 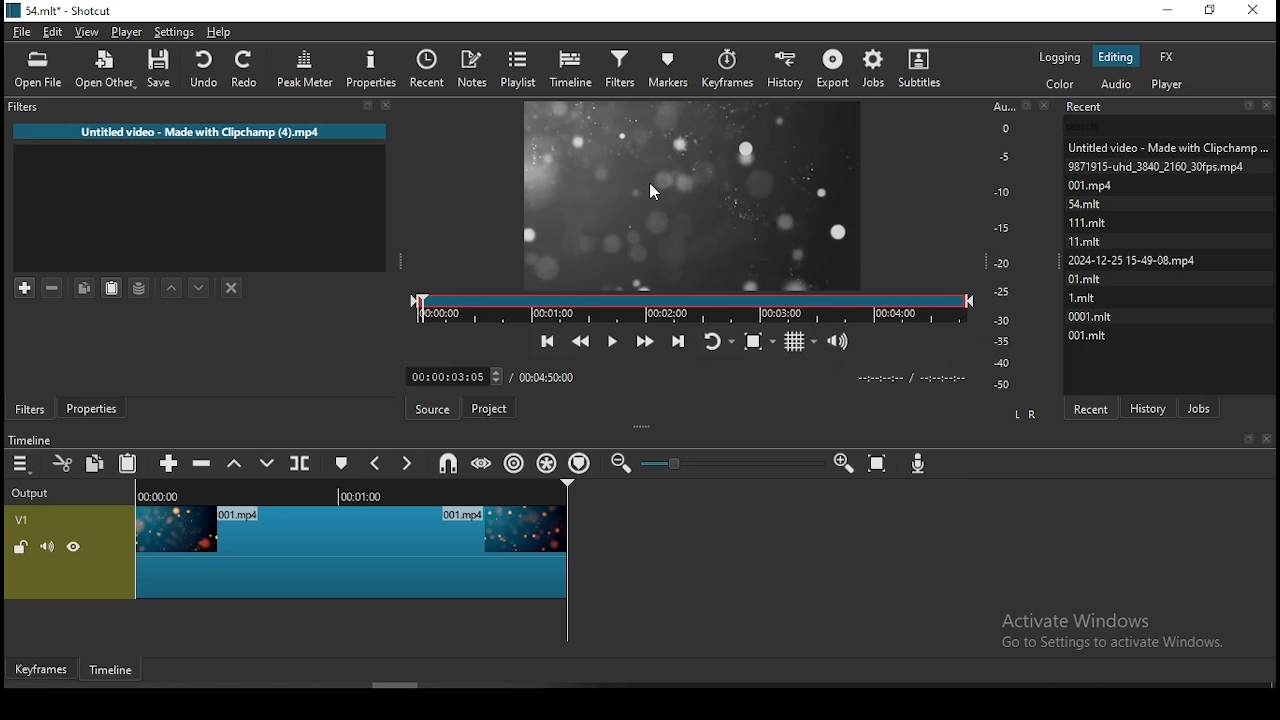 I want to click on ripple, so click(x=515, y=462).